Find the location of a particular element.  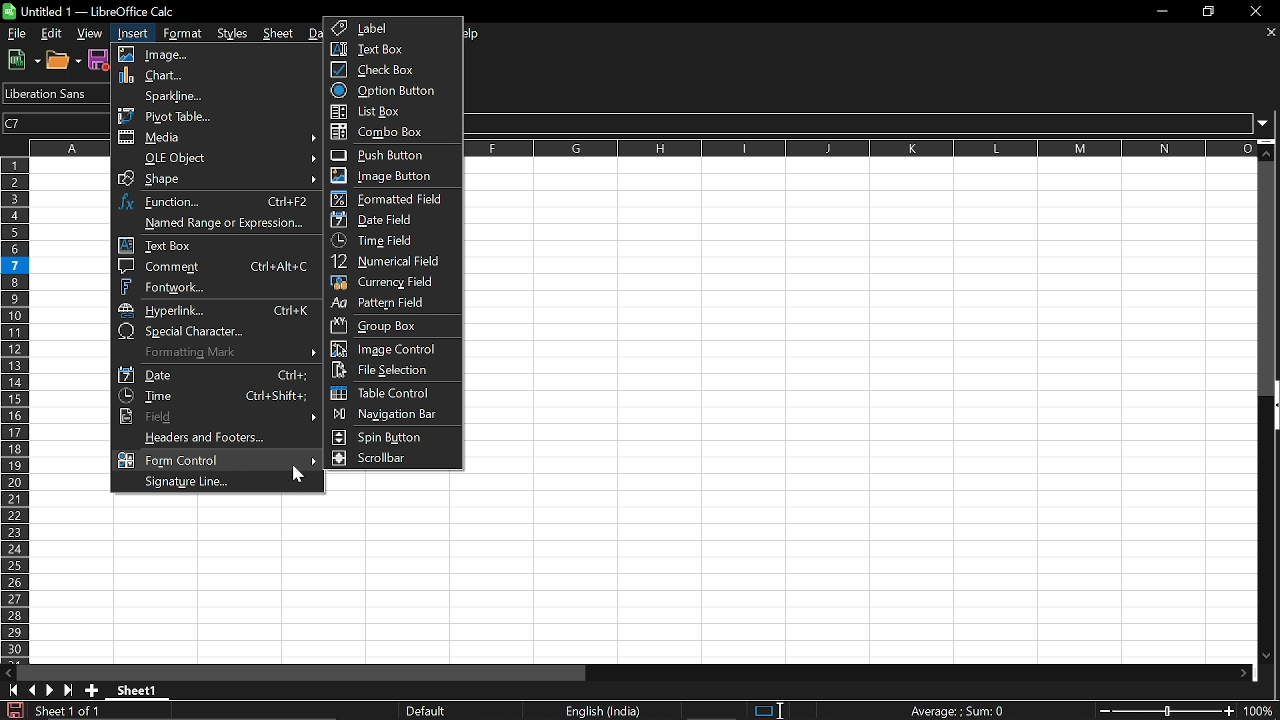

Sparkline is located at coordinates (212, 95).